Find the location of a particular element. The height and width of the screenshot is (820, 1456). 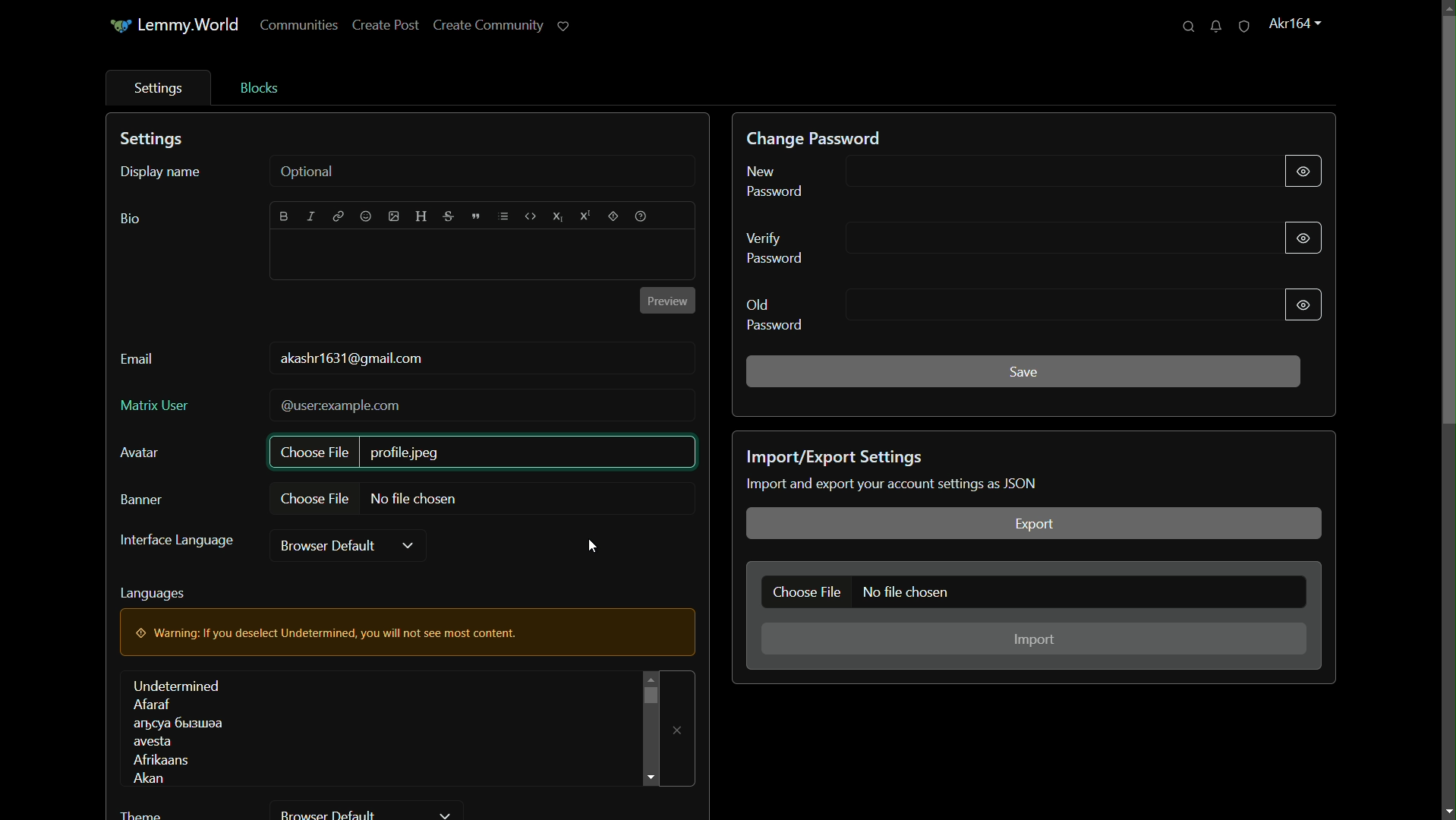

optional is located at coordinates (309, 172).